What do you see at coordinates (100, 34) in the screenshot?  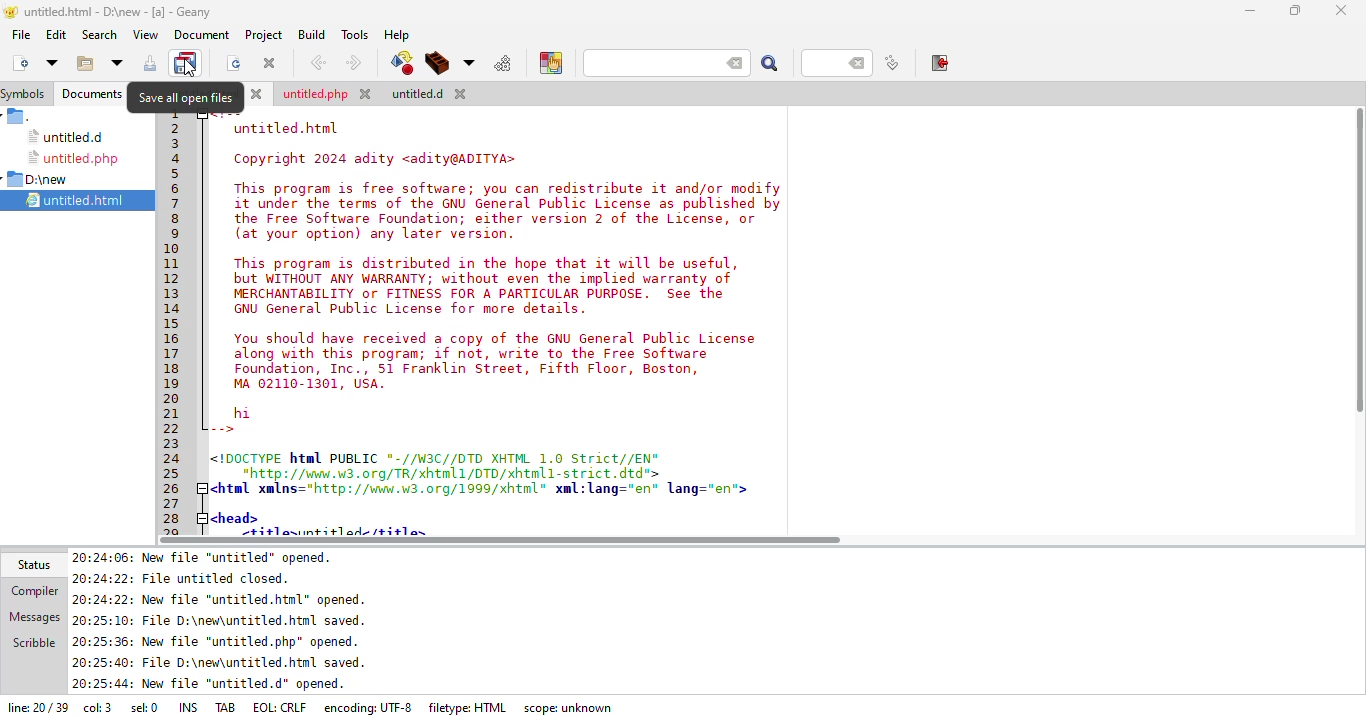 I see `search` at bounding box center [100, 34].